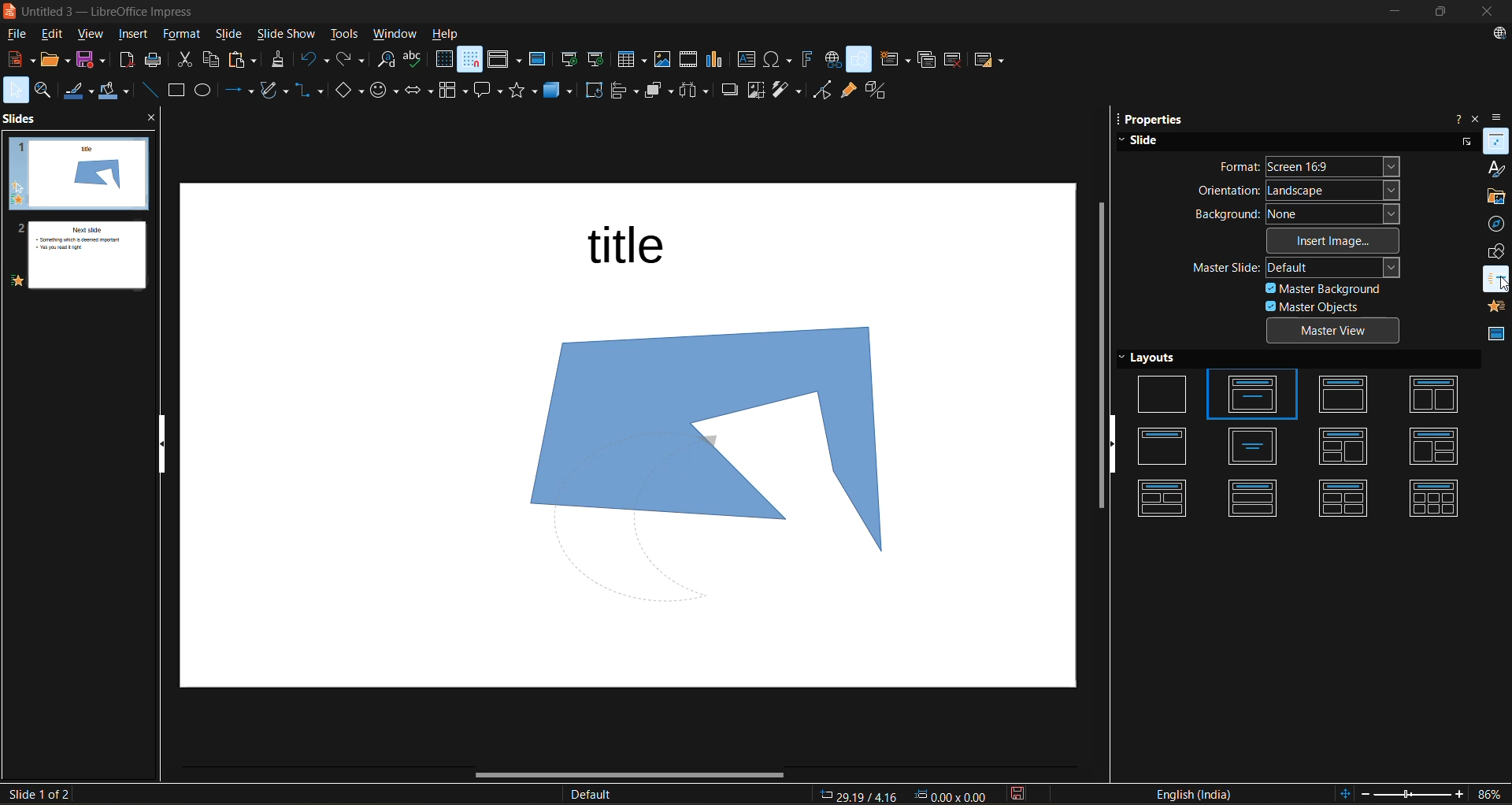 The height and width of the screenshot is (805, 1512). What do you see at coordinates (37, 794) in the screenshot?
I see `slide count` at bounding box center [37, 794].